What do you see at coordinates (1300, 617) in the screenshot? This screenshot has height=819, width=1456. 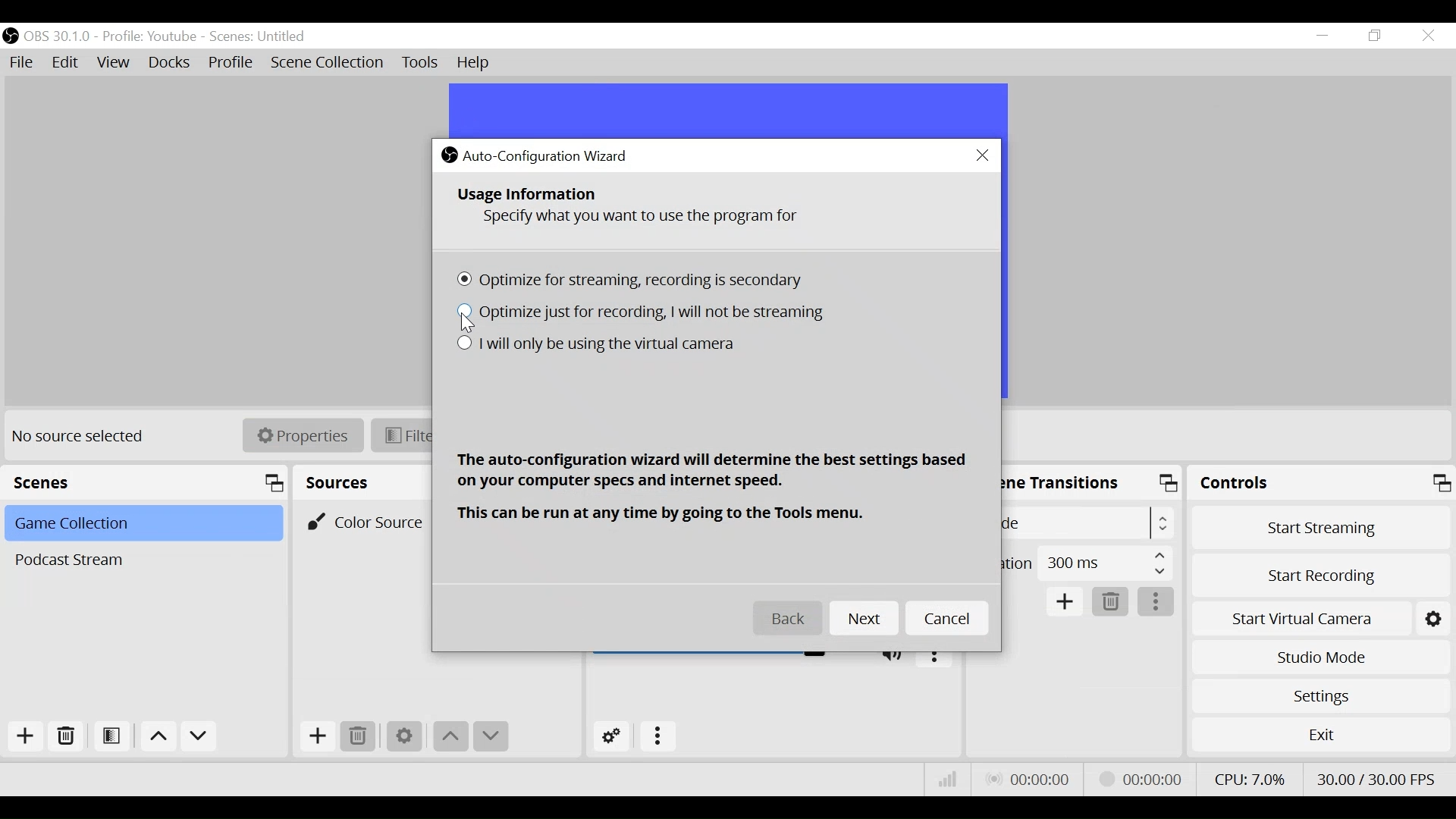 I see `Start Virtual Camera` at bounding box center [1300, 617].